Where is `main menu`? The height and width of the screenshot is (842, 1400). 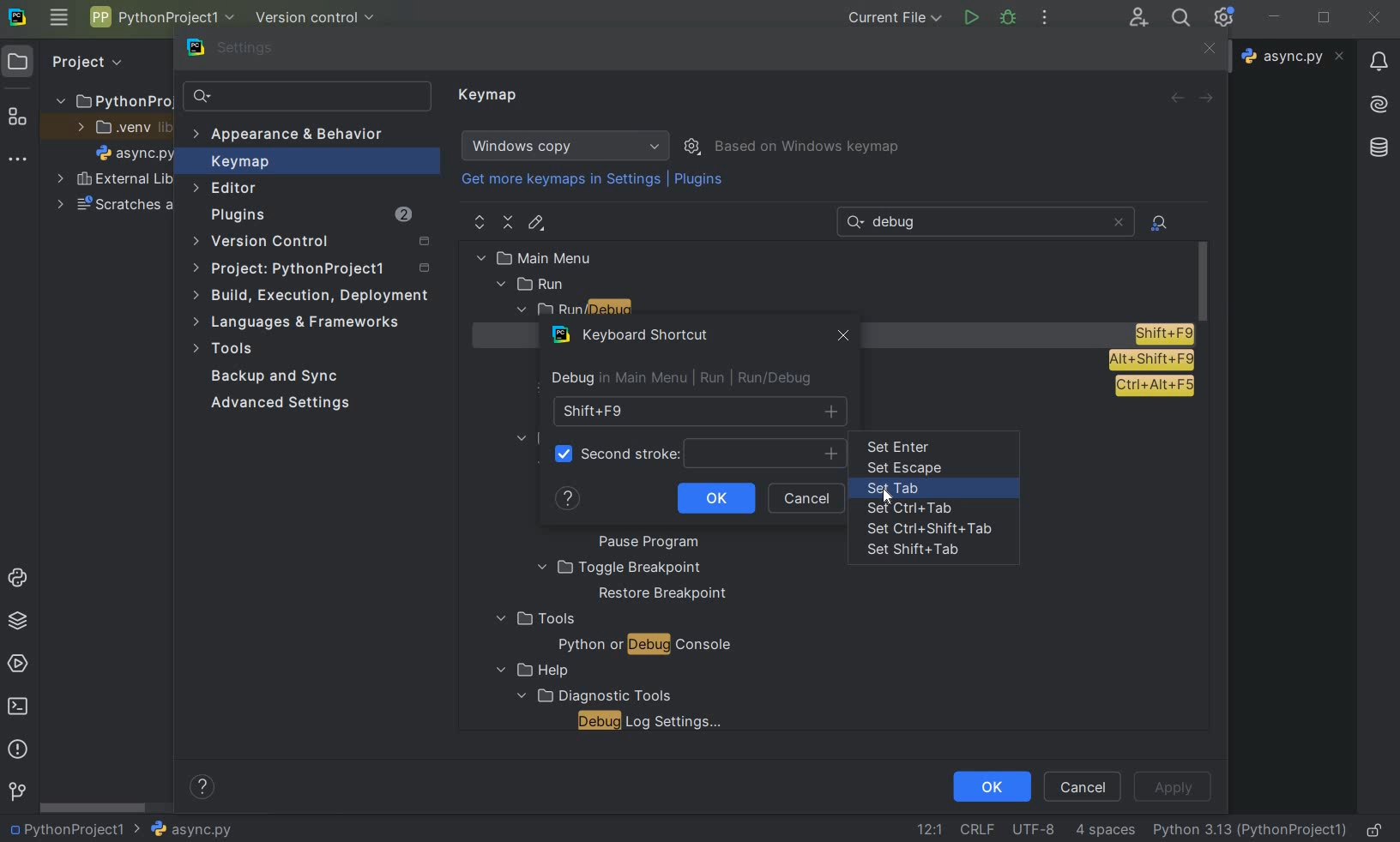
main menu is located at coordinates (58, 17).